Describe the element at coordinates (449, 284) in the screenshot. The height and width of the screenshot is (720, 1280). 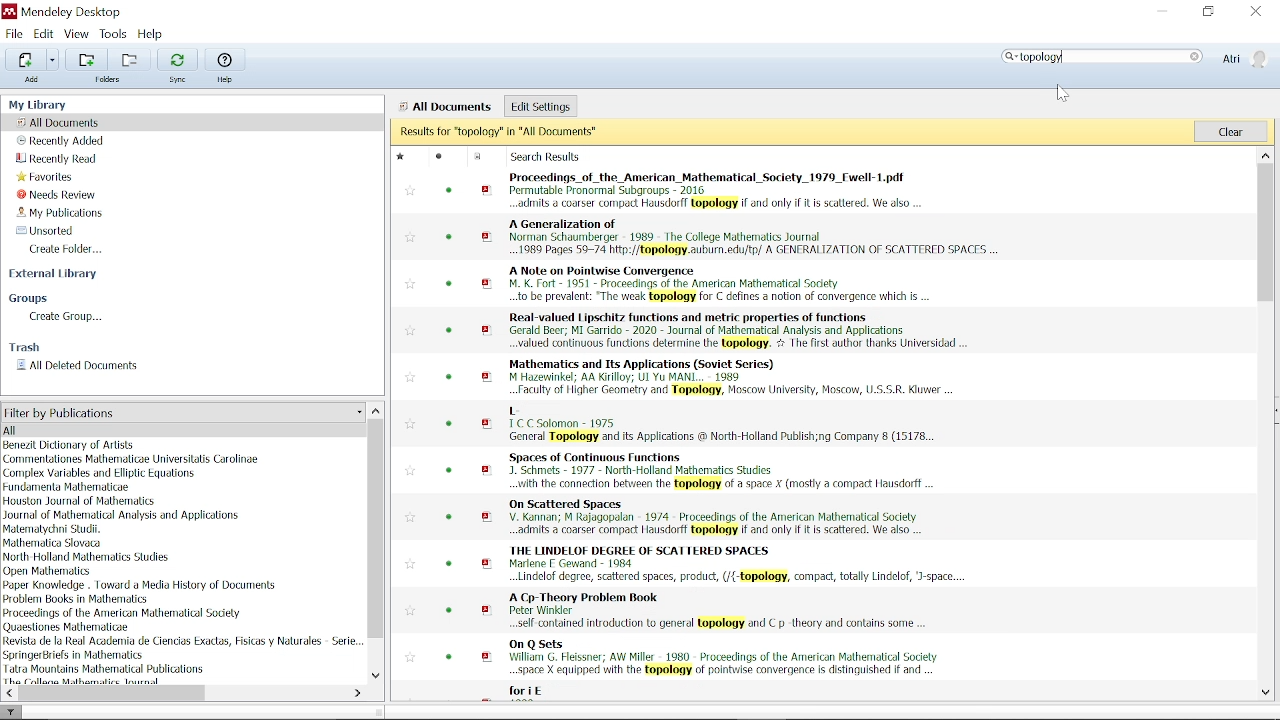
I see `read` at that location.